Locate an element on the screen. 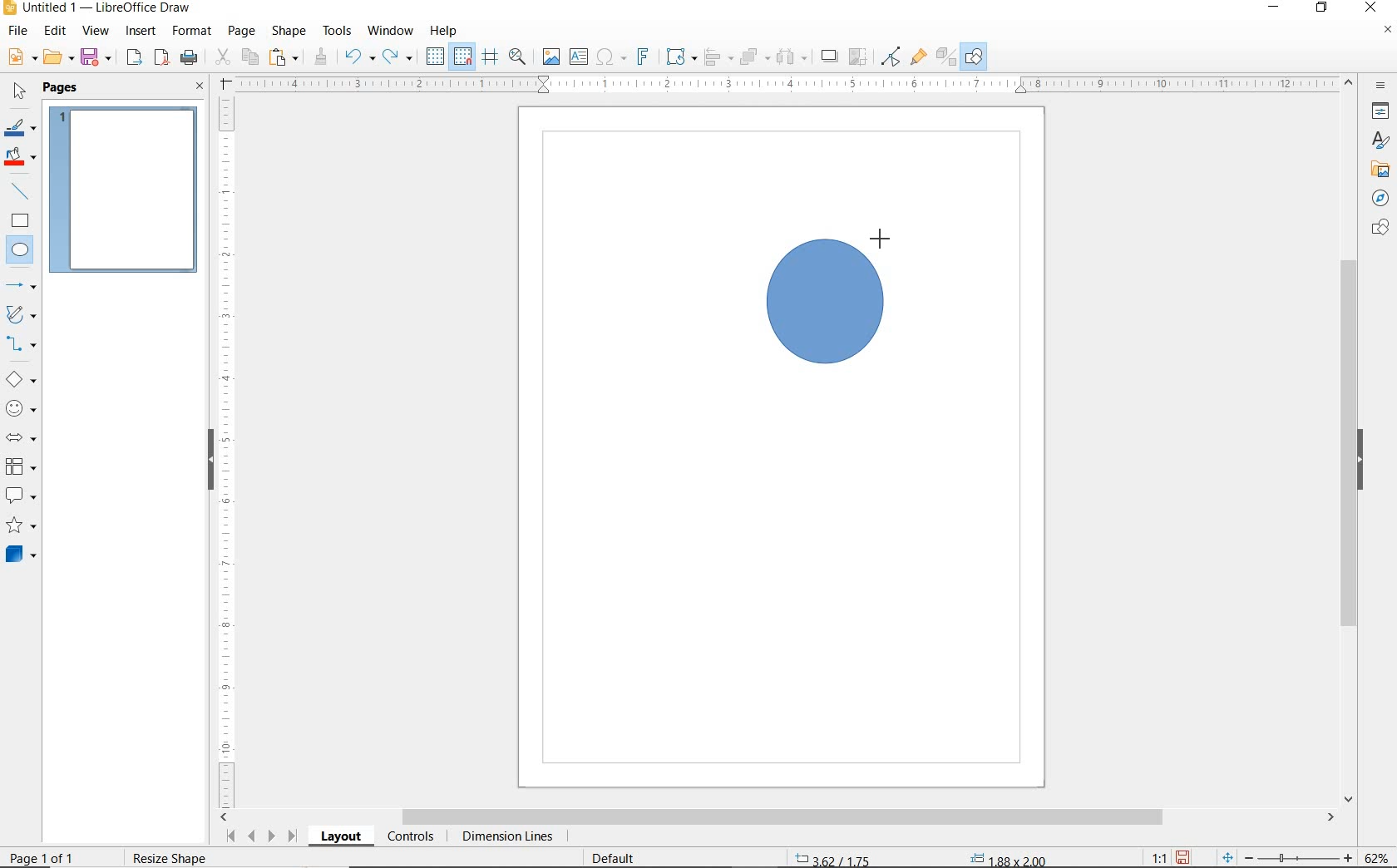 The width and height of the screenshot is (1397, 868). RULER is located at coordinates (788, 85).